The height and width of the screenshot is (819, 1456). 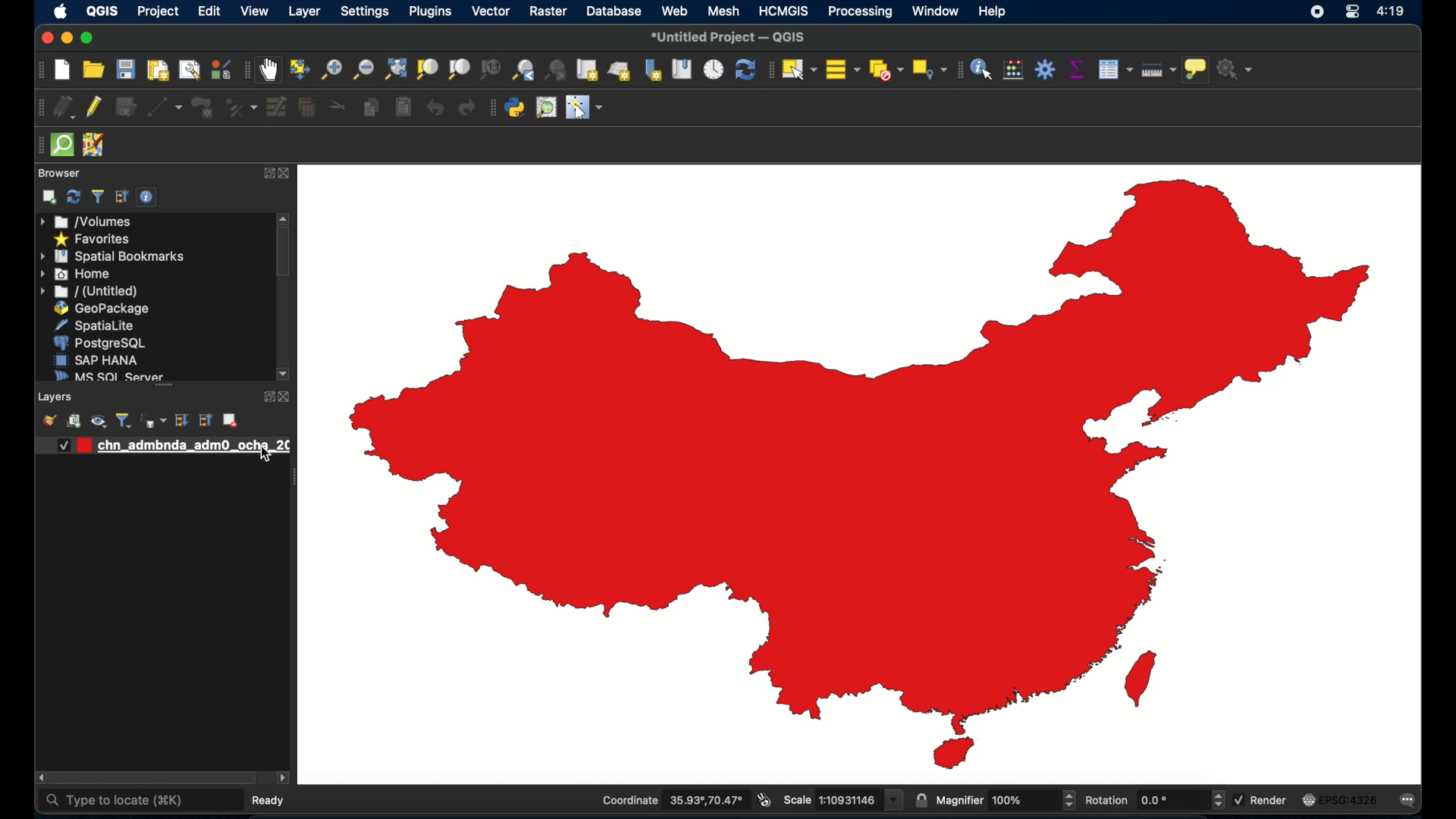 What do you see at coordinates (463, 107) in the screenshot?
I see `redo` at bounding box center [463, 107].